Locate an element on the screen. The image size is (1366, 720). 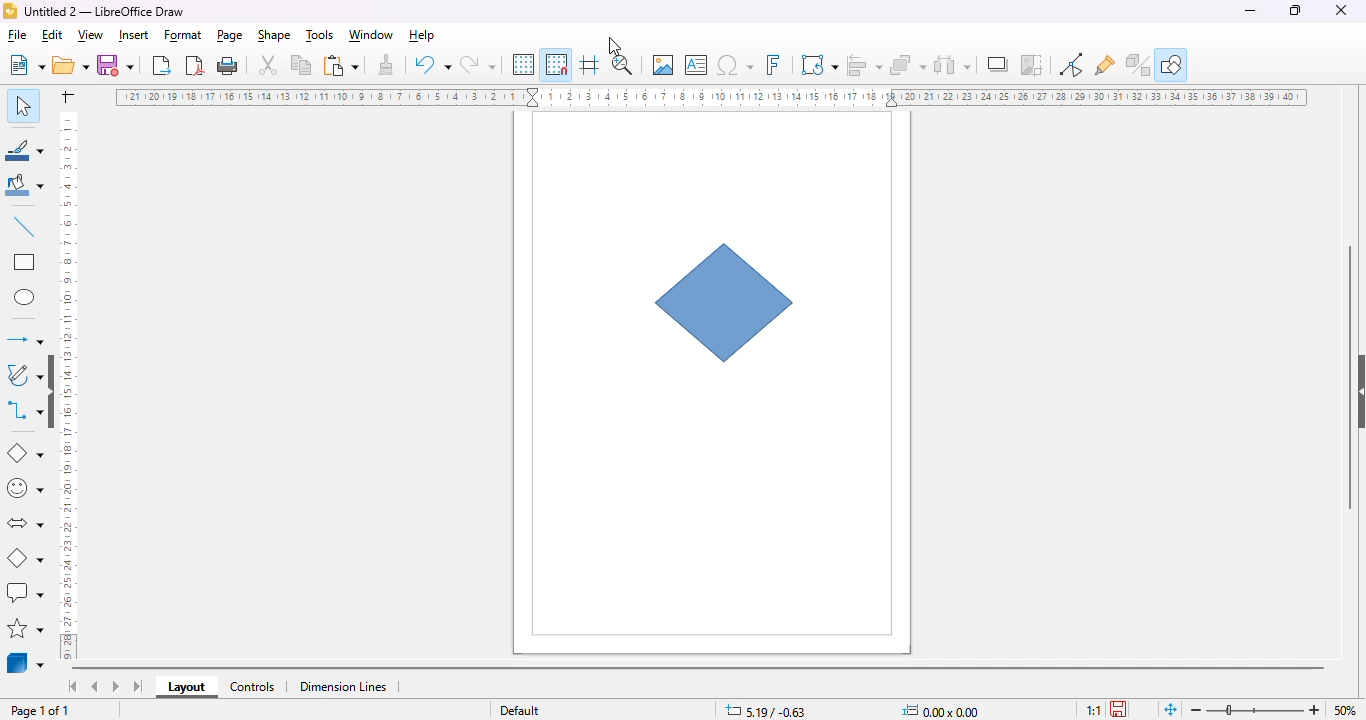
page 1 of 1 is located at coordinates (41, 711).